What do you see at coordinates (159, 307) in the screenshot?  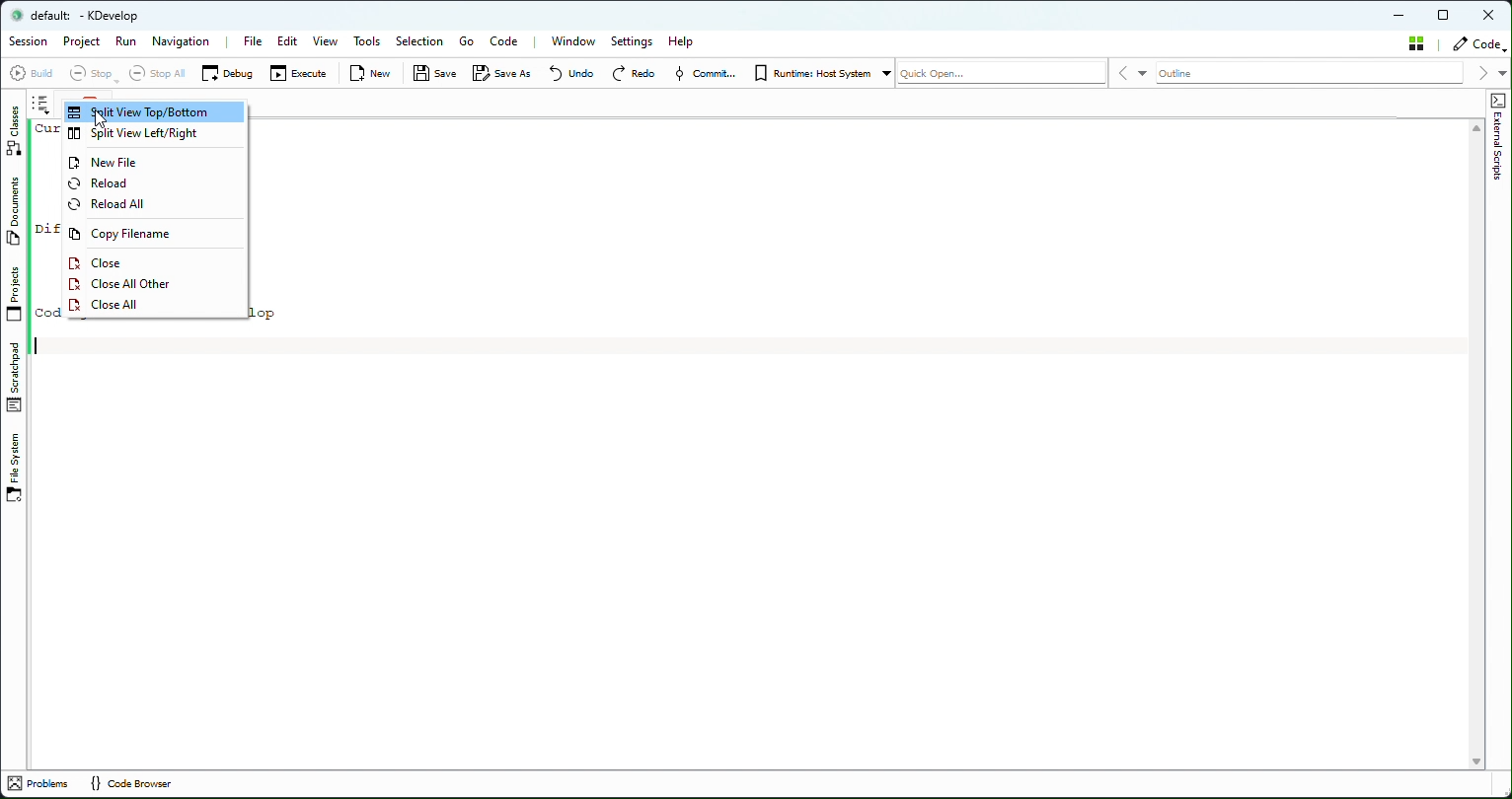 I see `Close All` at bounding box center [159, 307].